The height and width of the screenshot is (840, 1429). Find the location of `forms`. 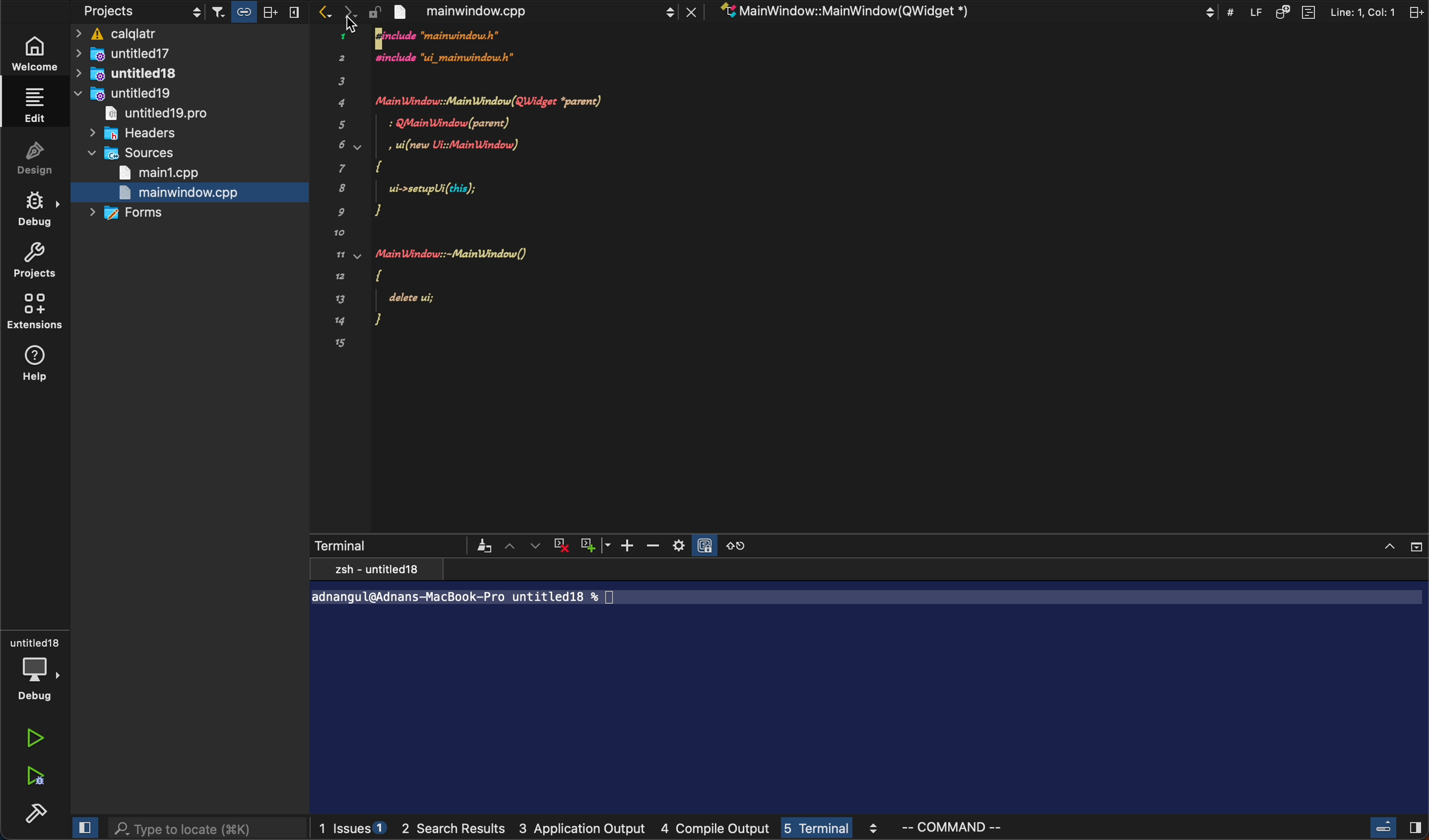

forms is located at coordinates (122, 215).